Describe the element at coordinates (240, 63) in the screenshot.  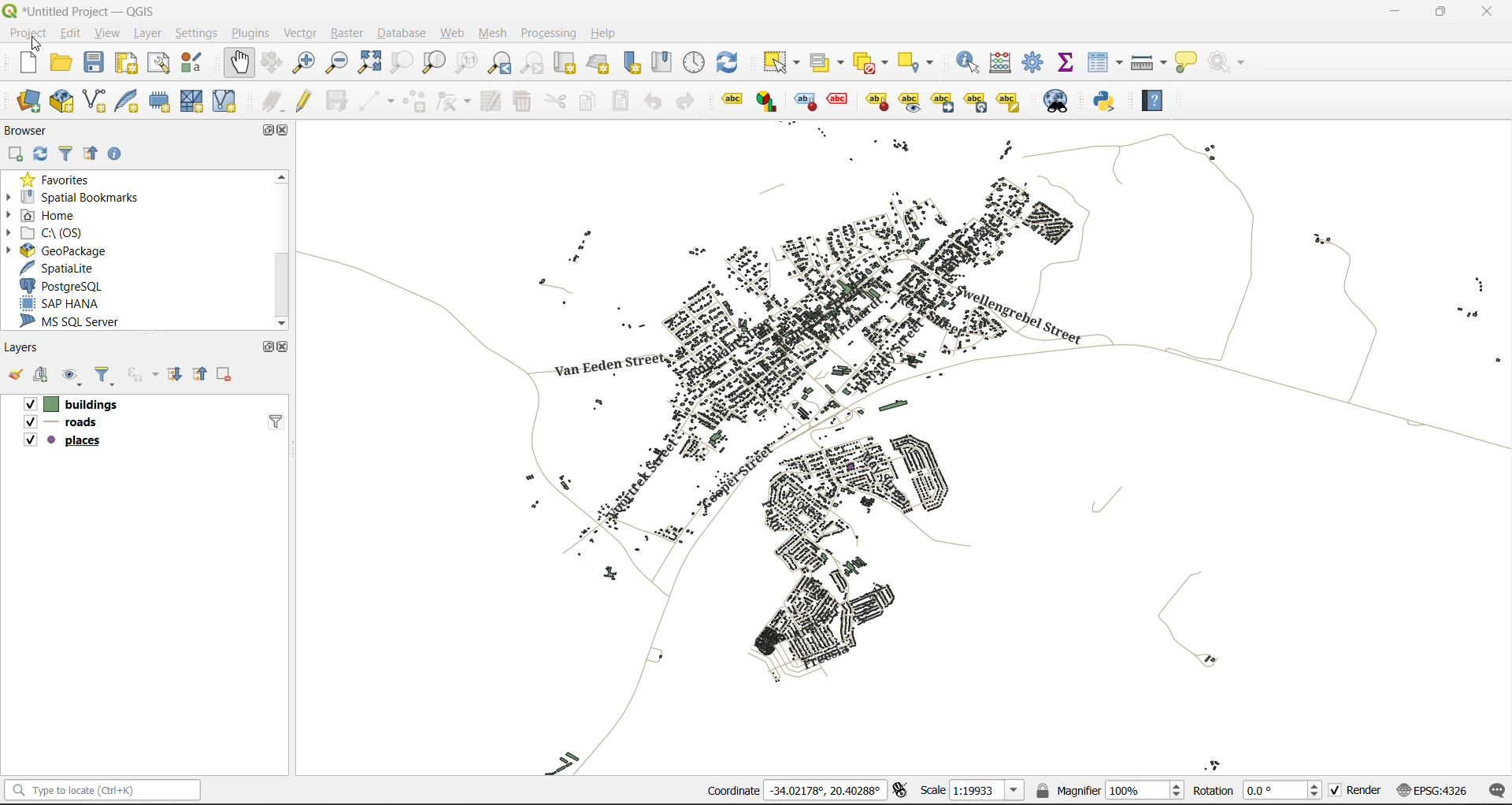
I see `pan map` at that location.